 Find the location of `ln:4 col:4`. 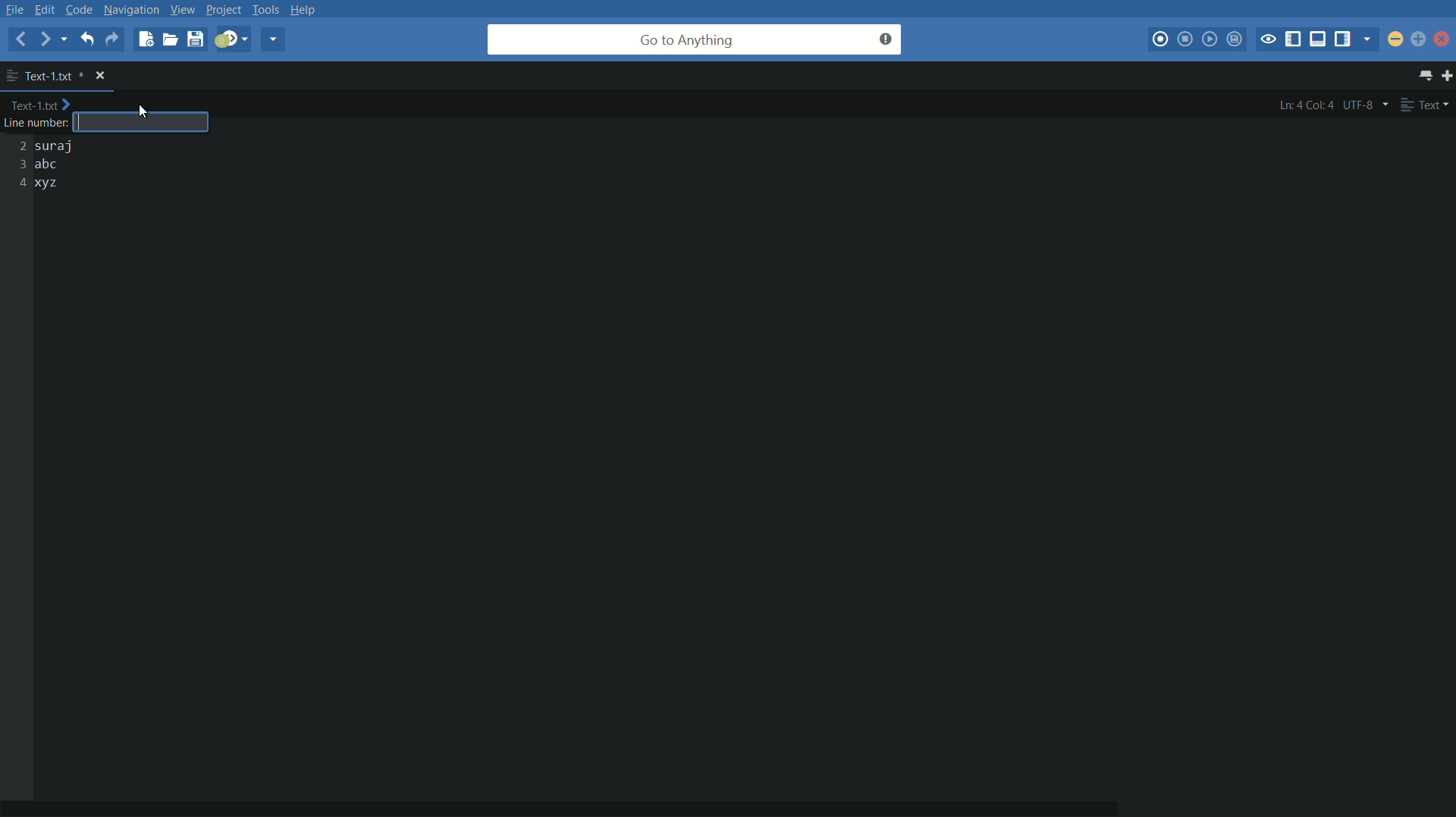

ln:4 col:4 is located at coordinates (1306, 105).